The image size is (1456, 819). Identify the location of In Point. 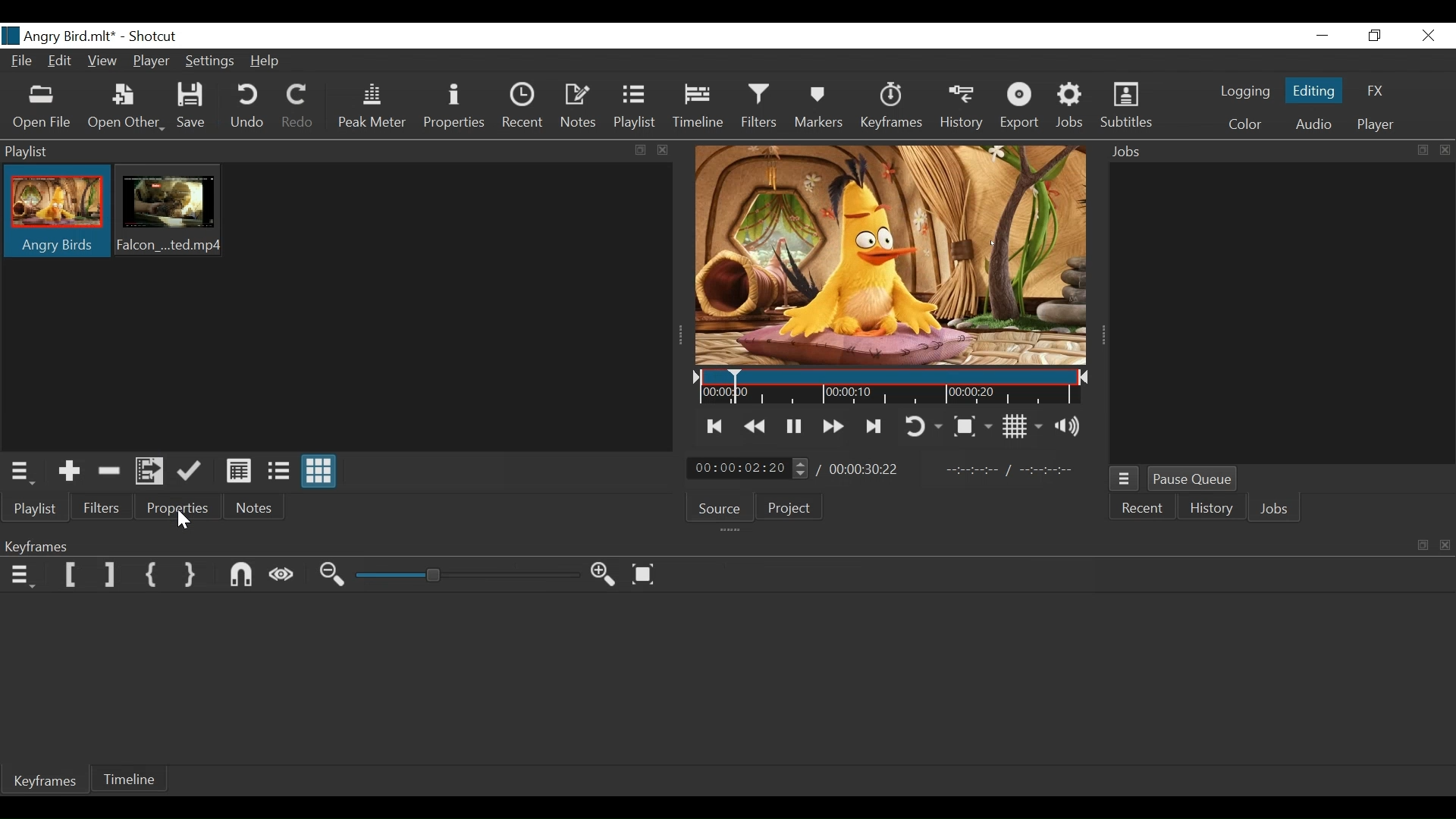
(1011, 468).